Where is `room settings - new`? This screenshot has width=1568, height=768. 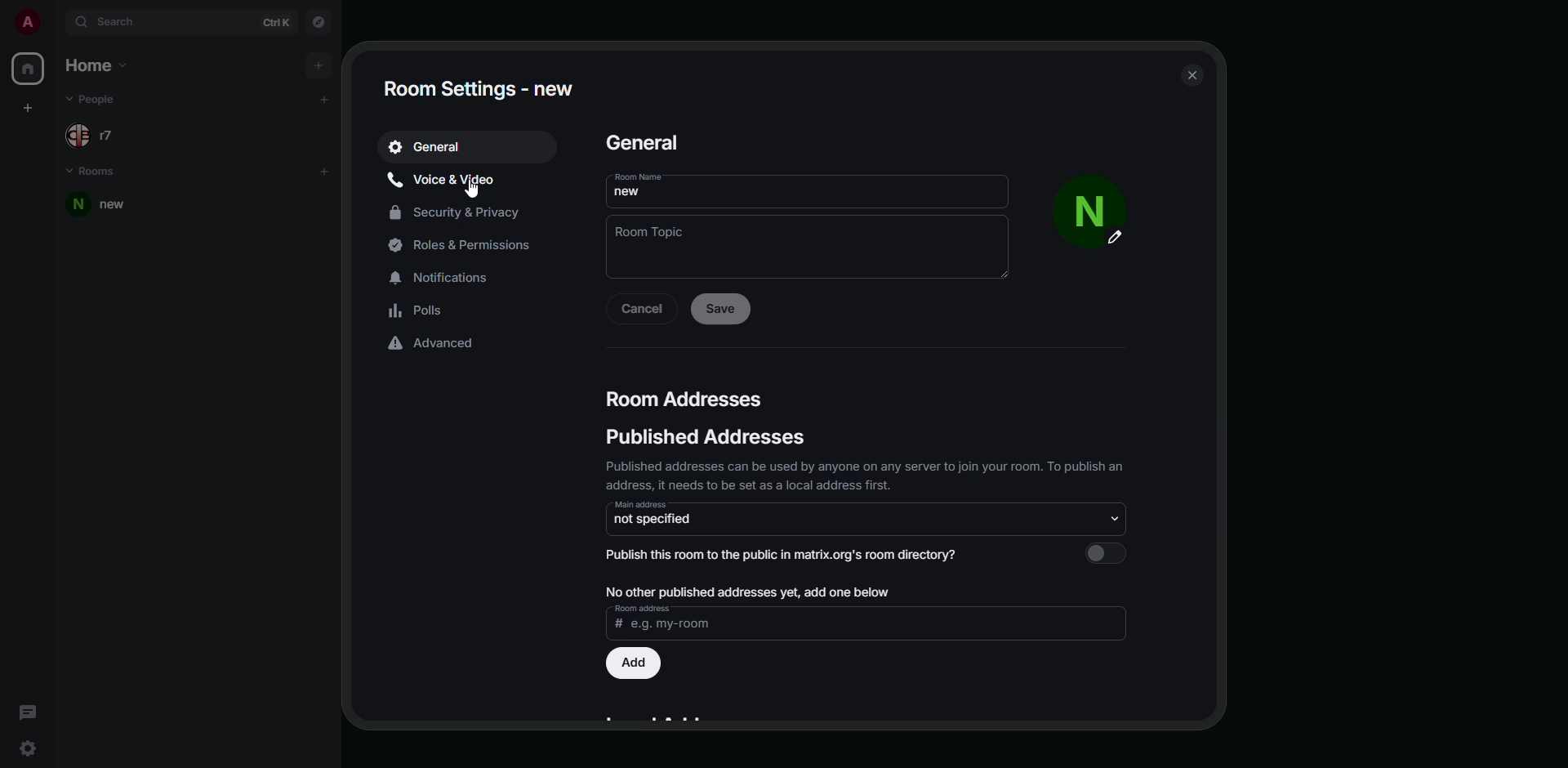 room settings - new is located at coordinates (481, 89).